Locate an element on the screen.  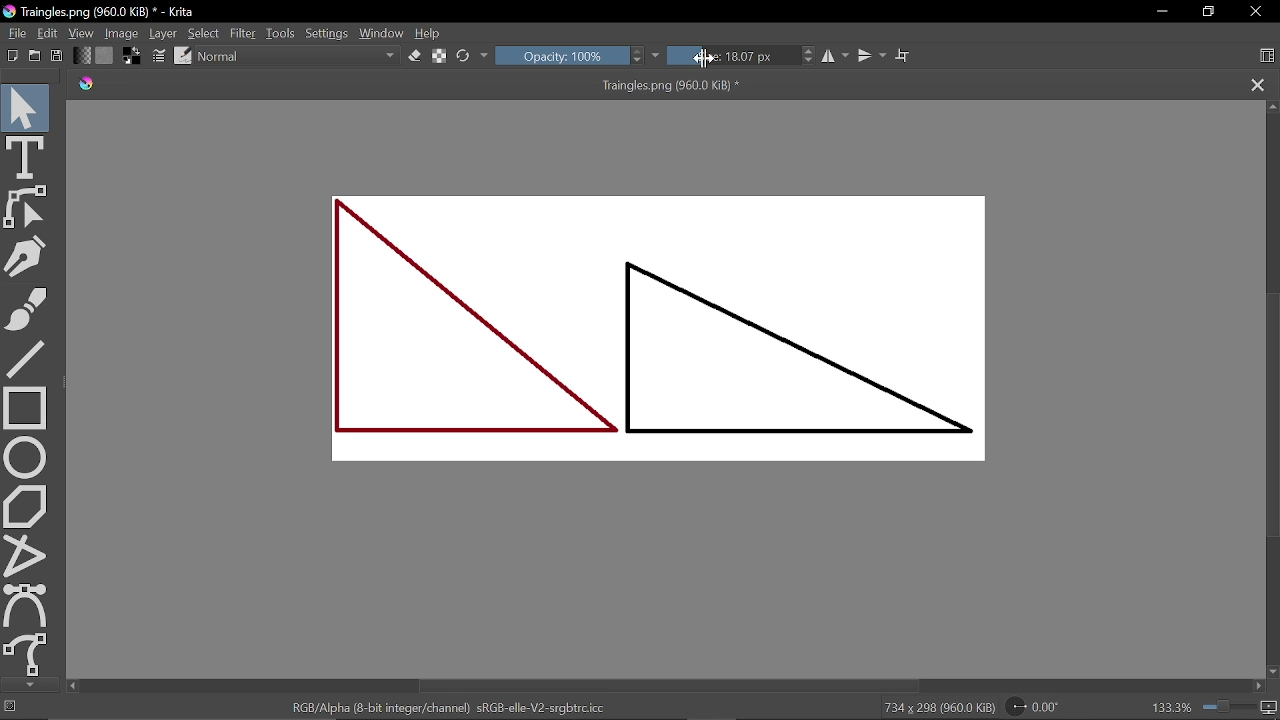
preserve alpha is located at coordinates (437, 57).